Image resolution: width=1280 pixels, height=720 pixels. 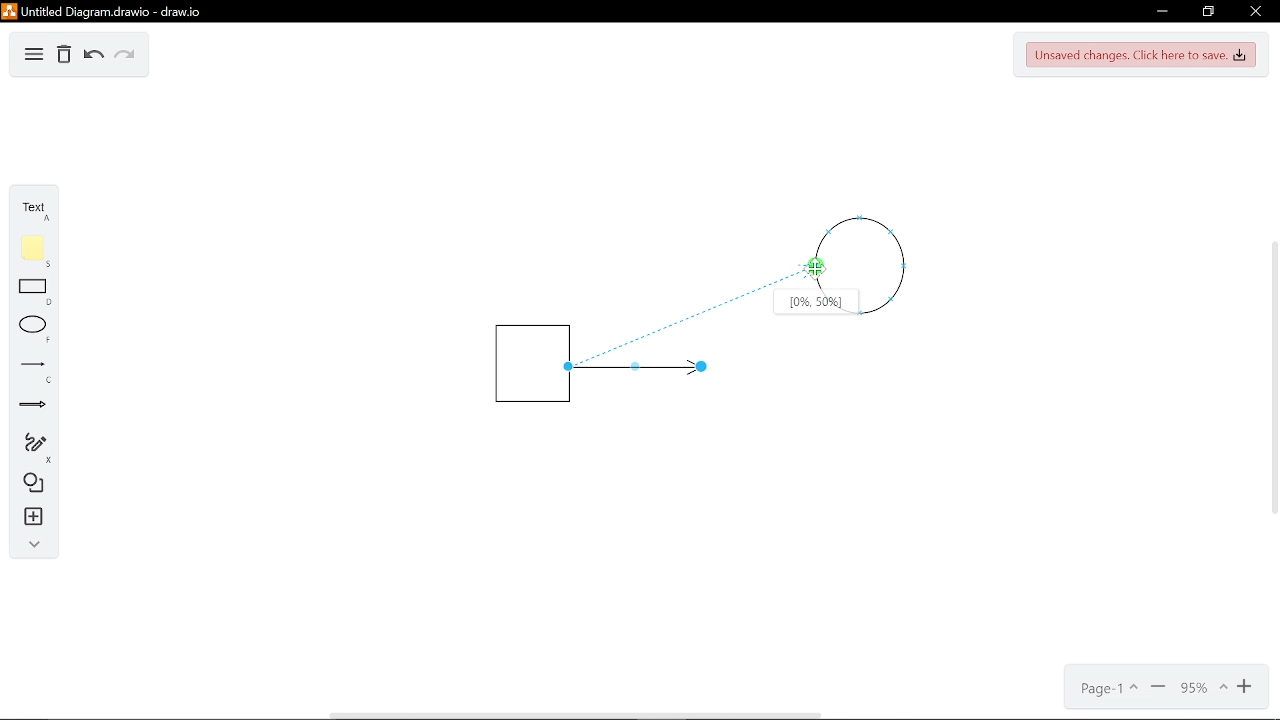 I want to click on Cursor , so click(x=814, y=267).